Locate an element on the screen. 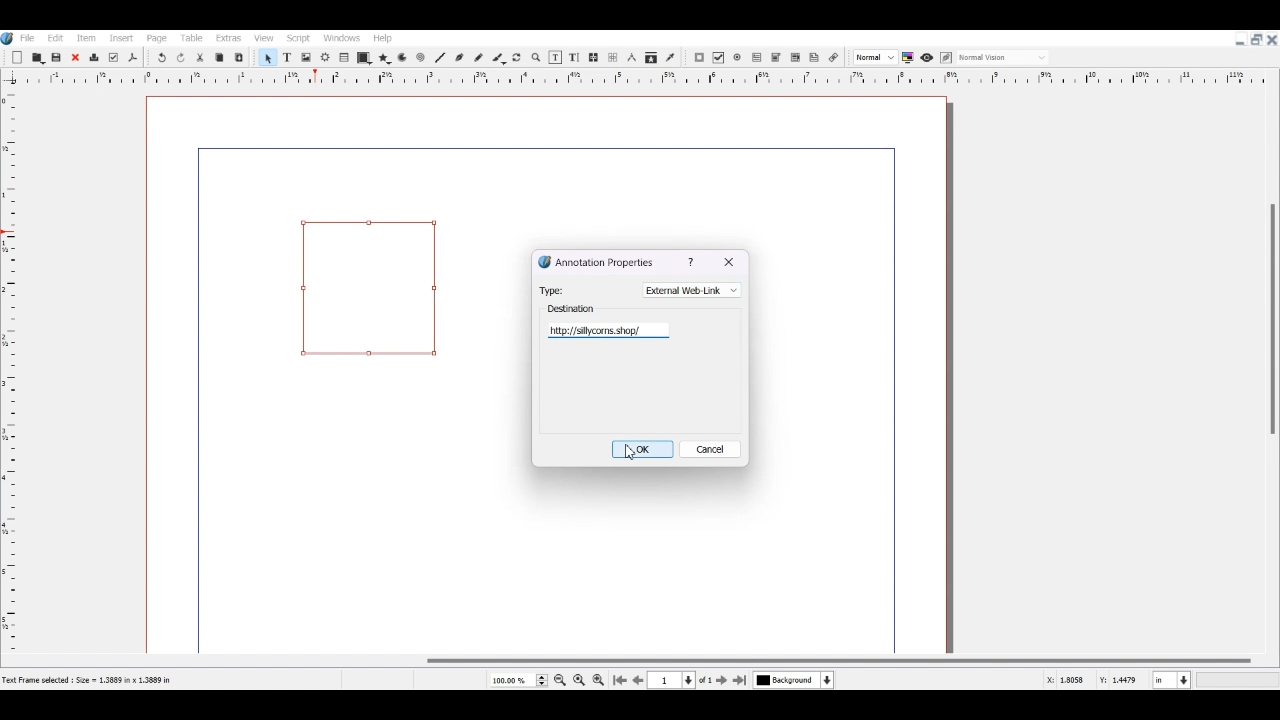  Text Annotation  is located at coordinates (815, 57).